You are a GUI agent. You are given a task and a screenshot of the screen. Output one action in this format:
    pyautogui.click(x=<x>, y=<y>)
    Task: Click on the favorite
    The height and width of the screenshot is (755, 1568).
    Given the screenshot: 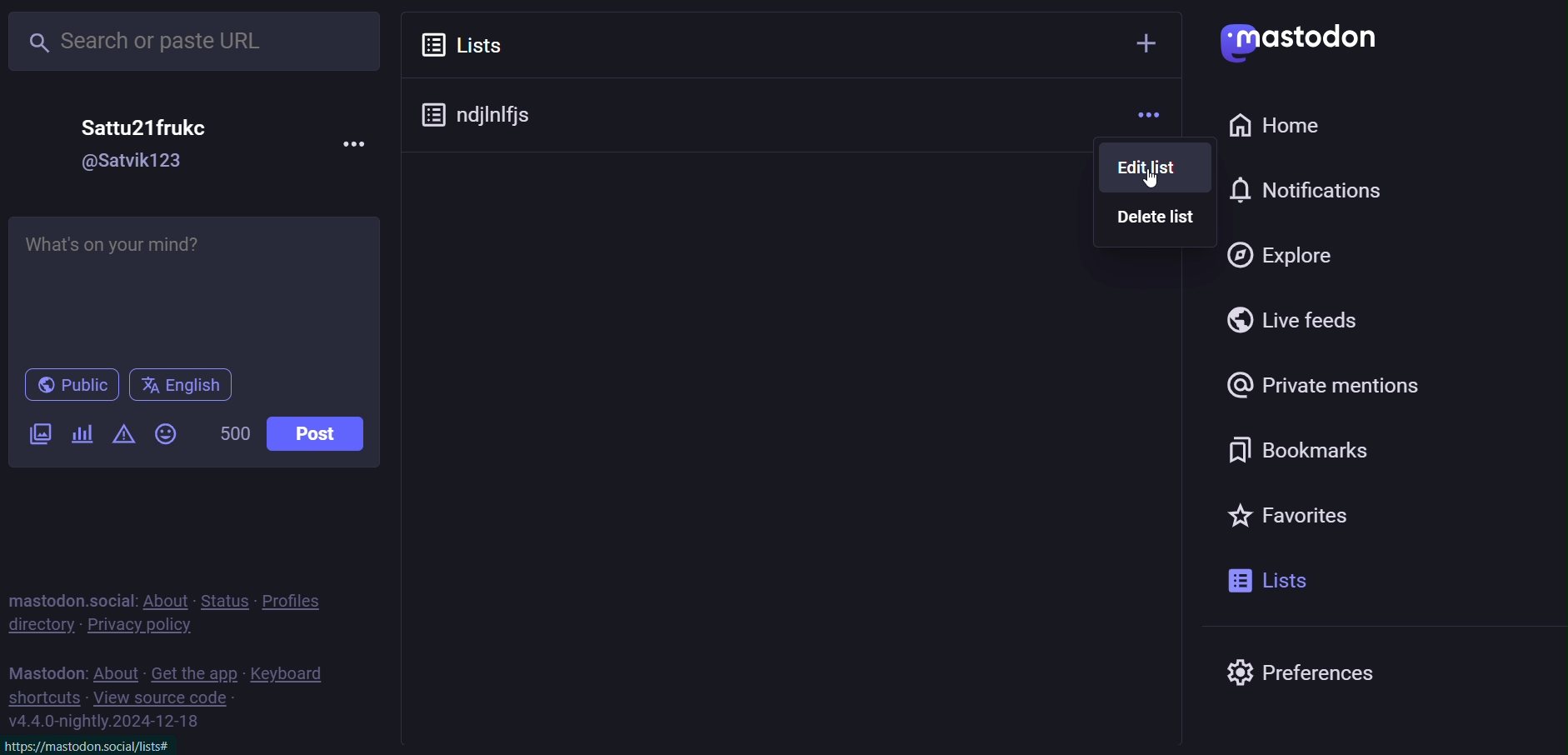 What is the action you would take?
    pyautogui.click(x=1301, y=516)
    